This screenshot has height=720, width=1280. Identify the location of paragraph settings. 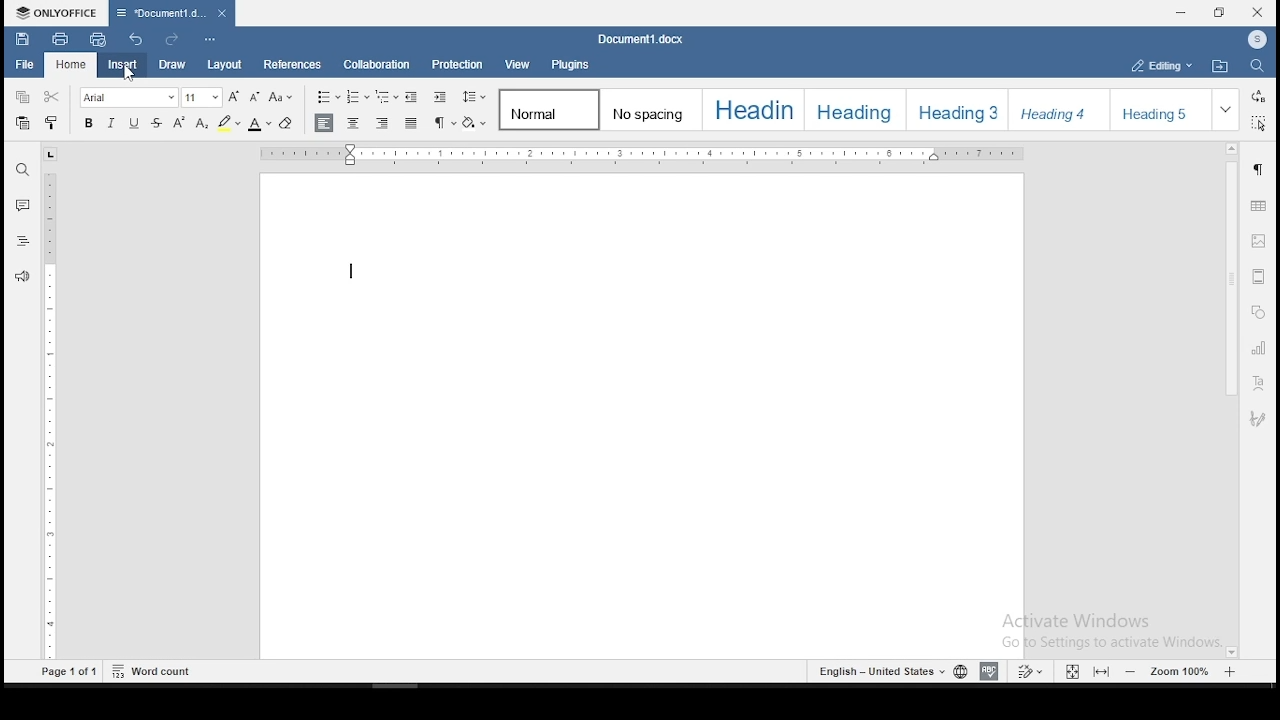
(1261, 170).